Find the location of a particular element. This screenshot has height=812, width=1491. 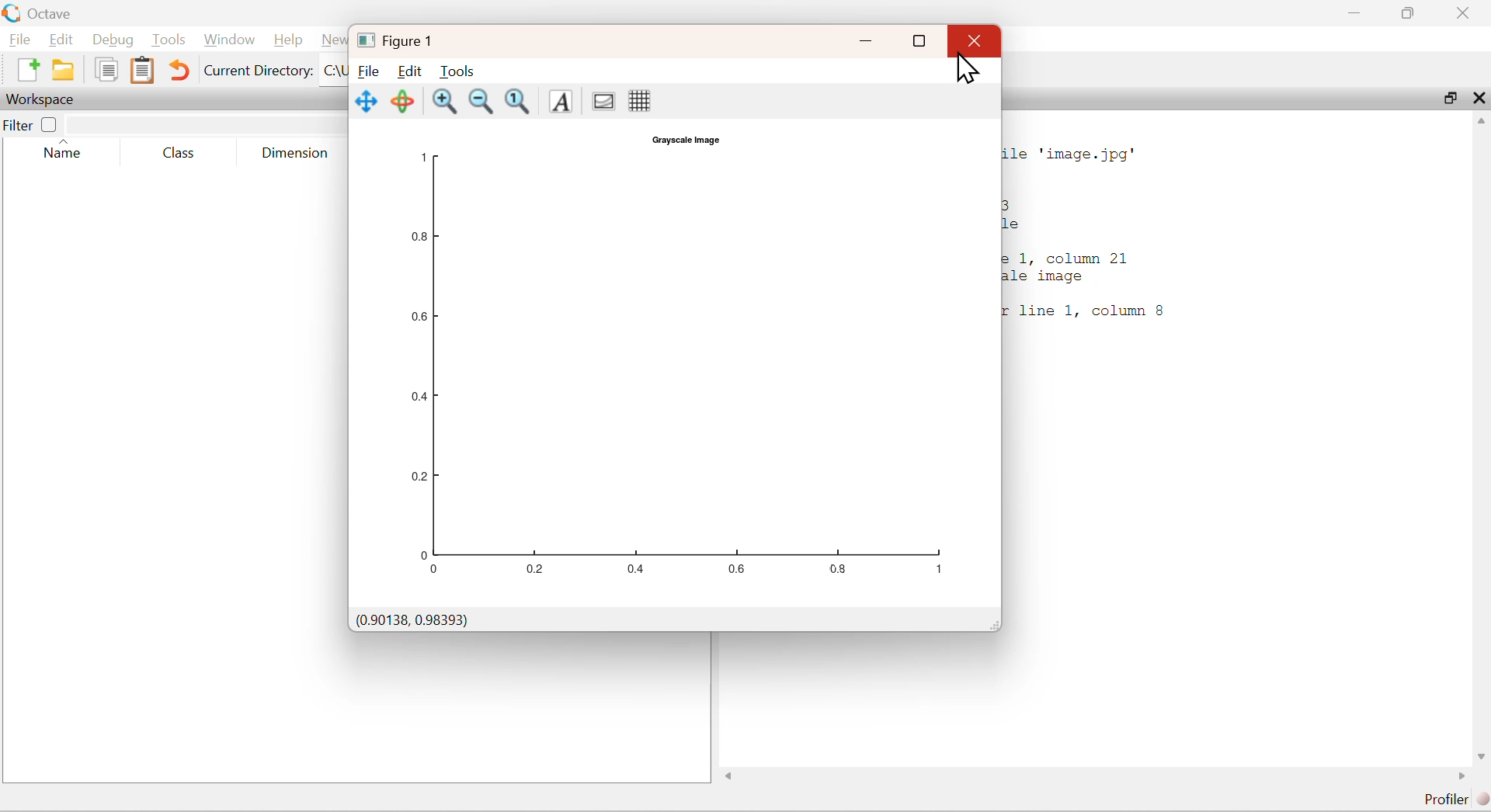

Rotate is located at coordinates (405, 102).